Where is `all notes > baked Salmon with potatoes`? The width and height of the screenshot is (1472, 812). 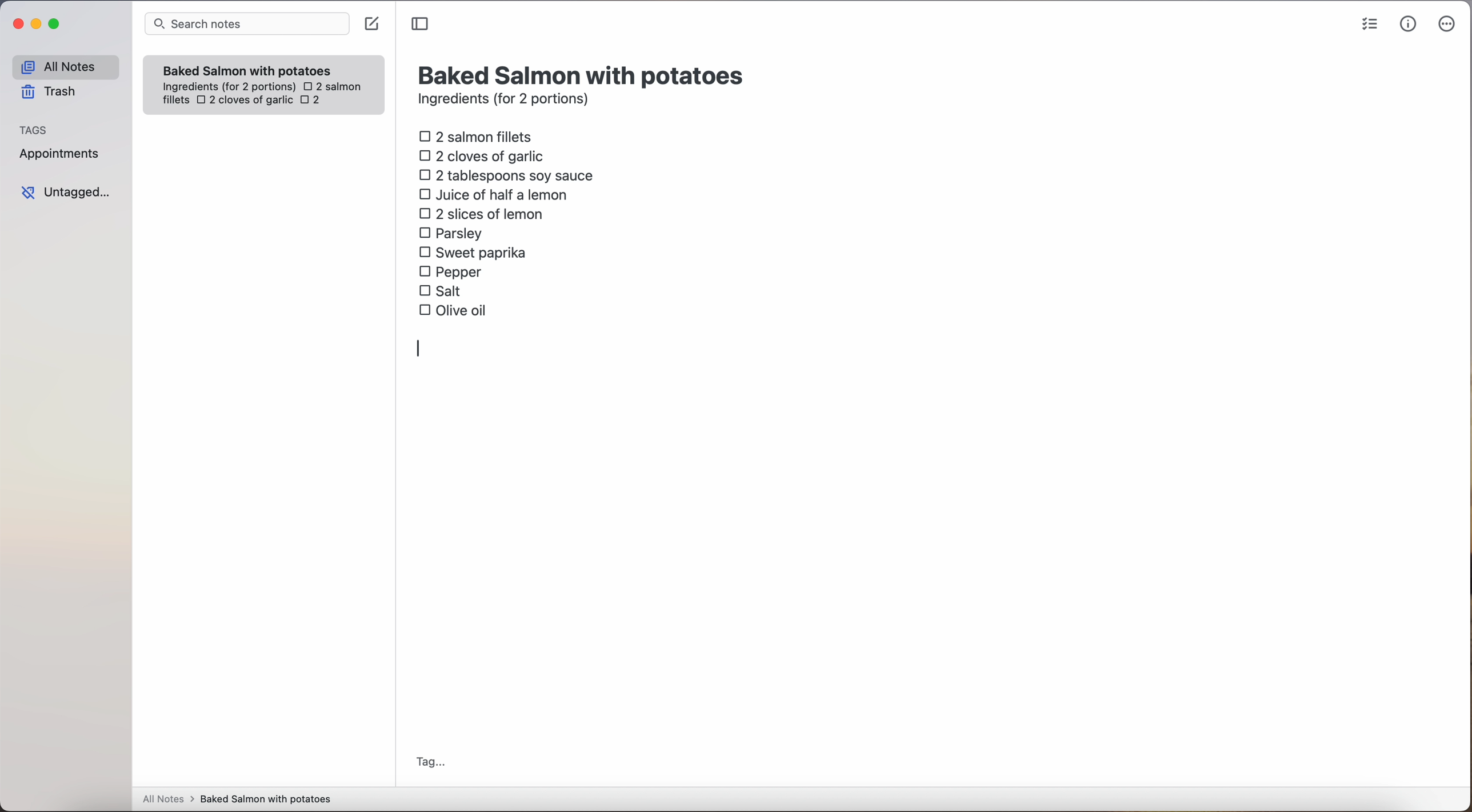 all notes > baked Salmon with potatoes is located at coordinates (237, 798).